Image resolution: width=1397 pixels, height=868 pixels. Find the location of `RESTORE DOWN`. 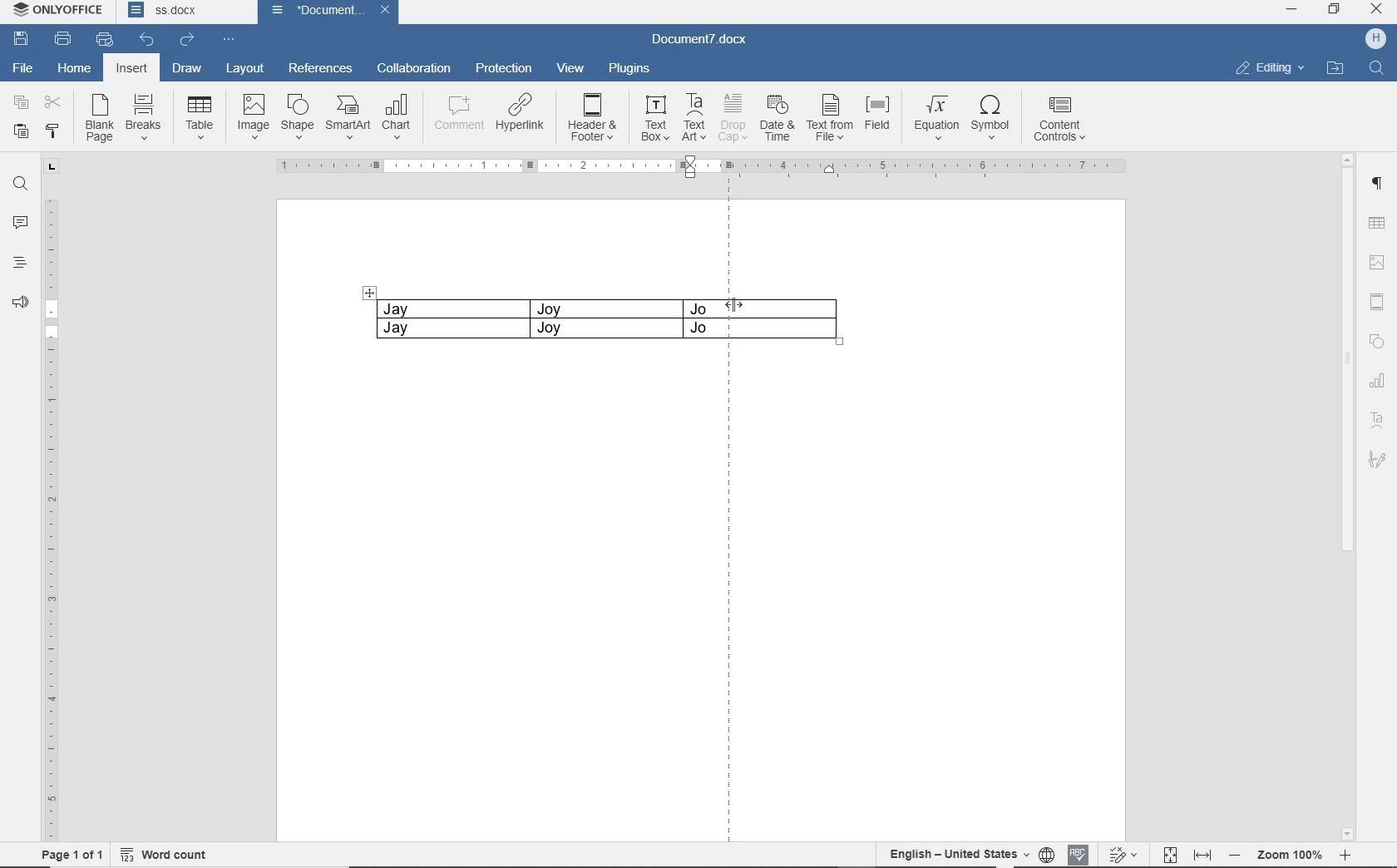

RESTORE DOWN is located at coordinates (1337, 8).